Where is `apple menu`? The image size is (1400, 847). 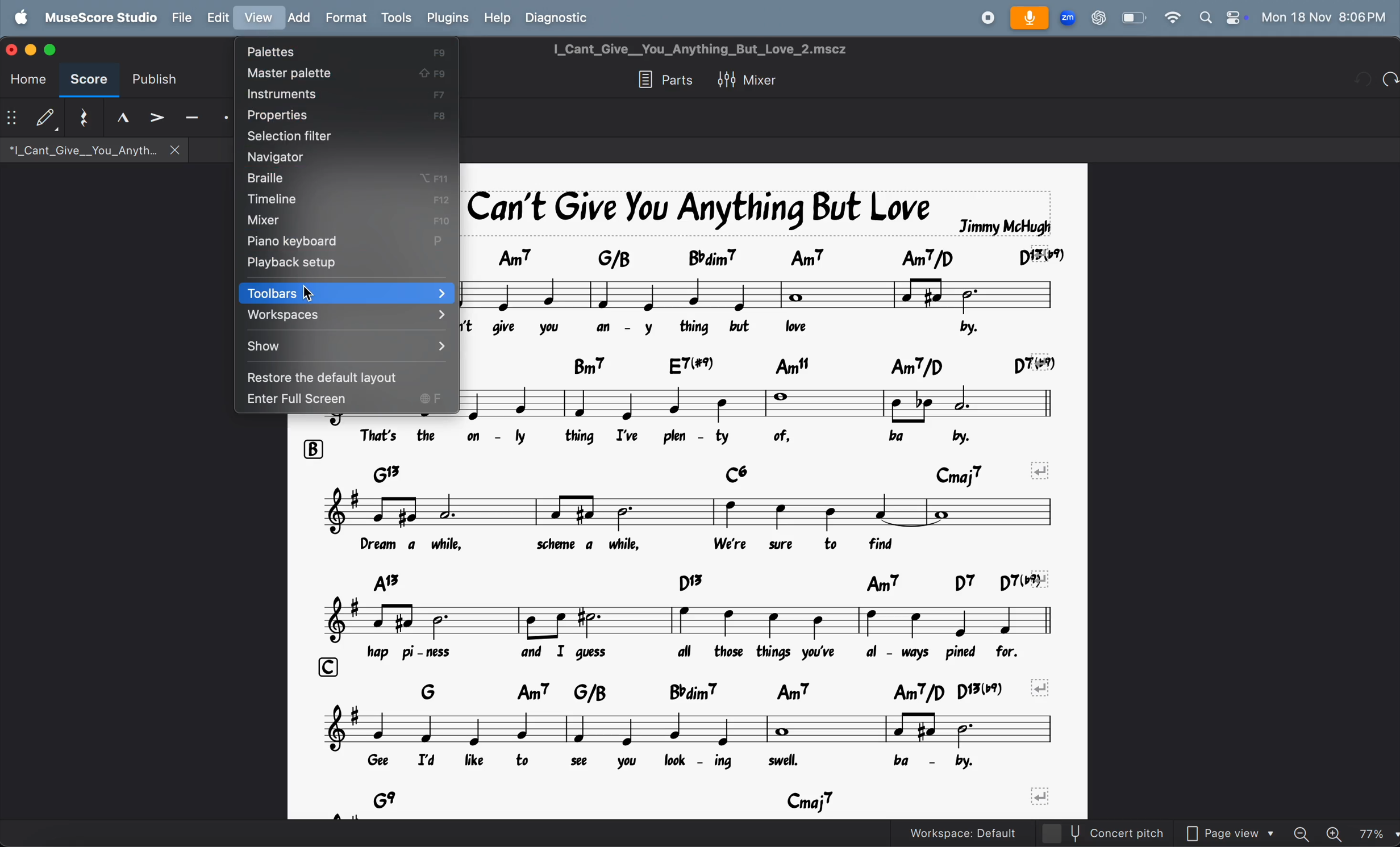 apple menu is located at coordinates (18, 18).